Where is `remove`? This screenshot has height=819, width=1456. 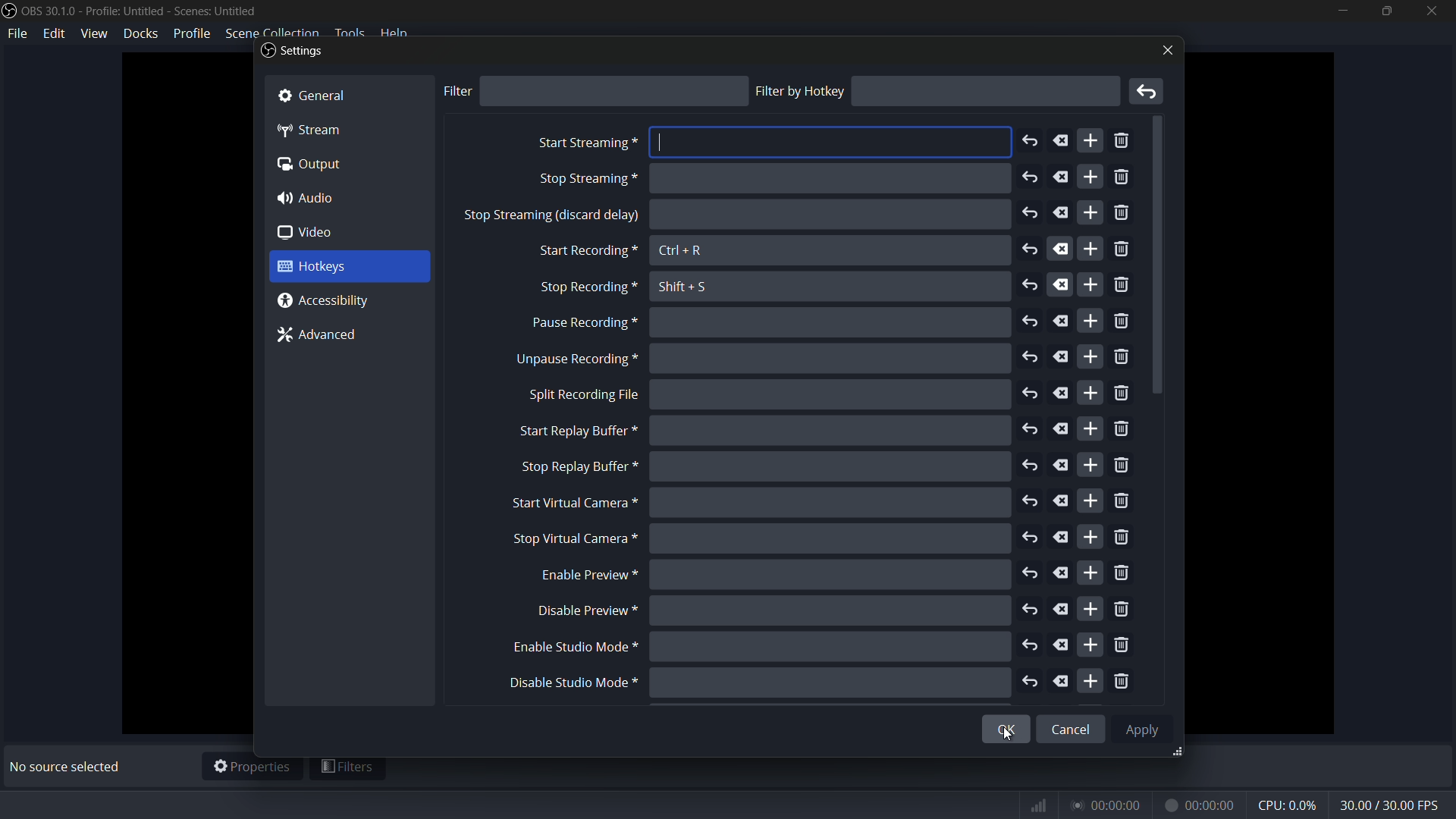 remove is located at coordinates (1123, 214).